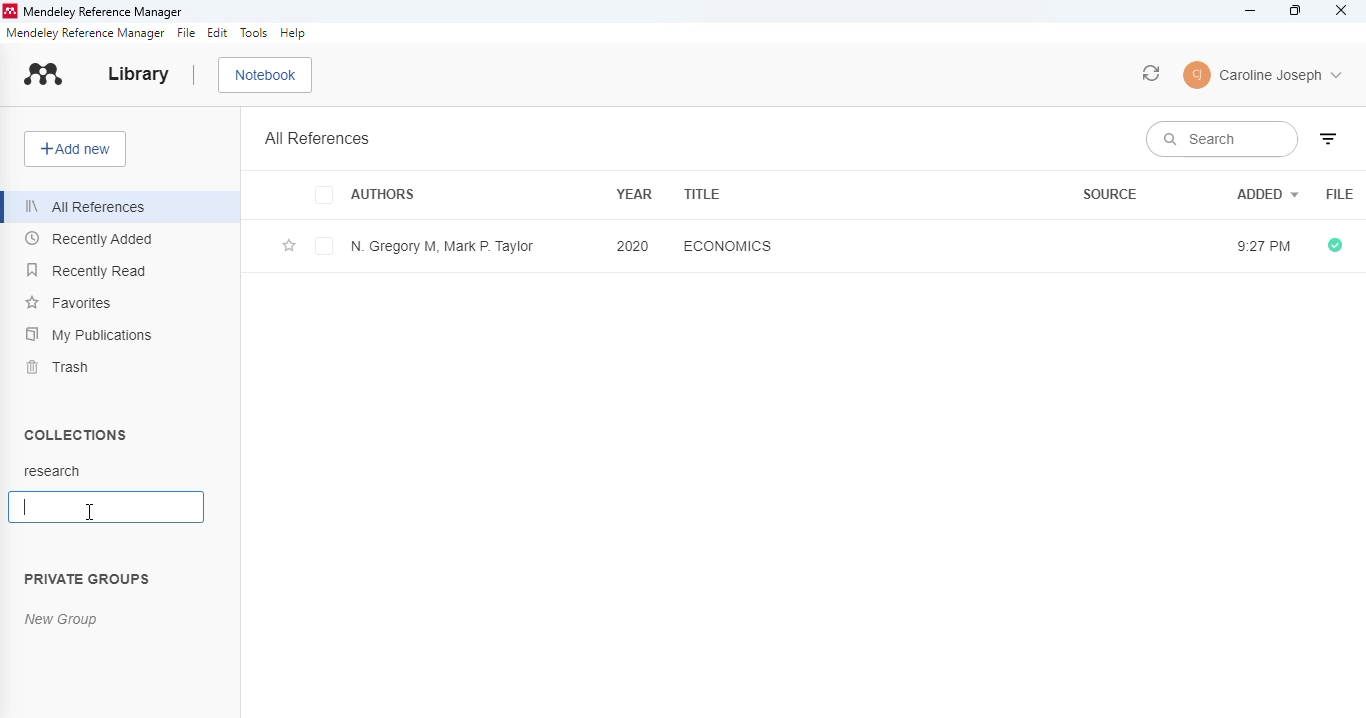  I want to click on new group, so click(62, 620).